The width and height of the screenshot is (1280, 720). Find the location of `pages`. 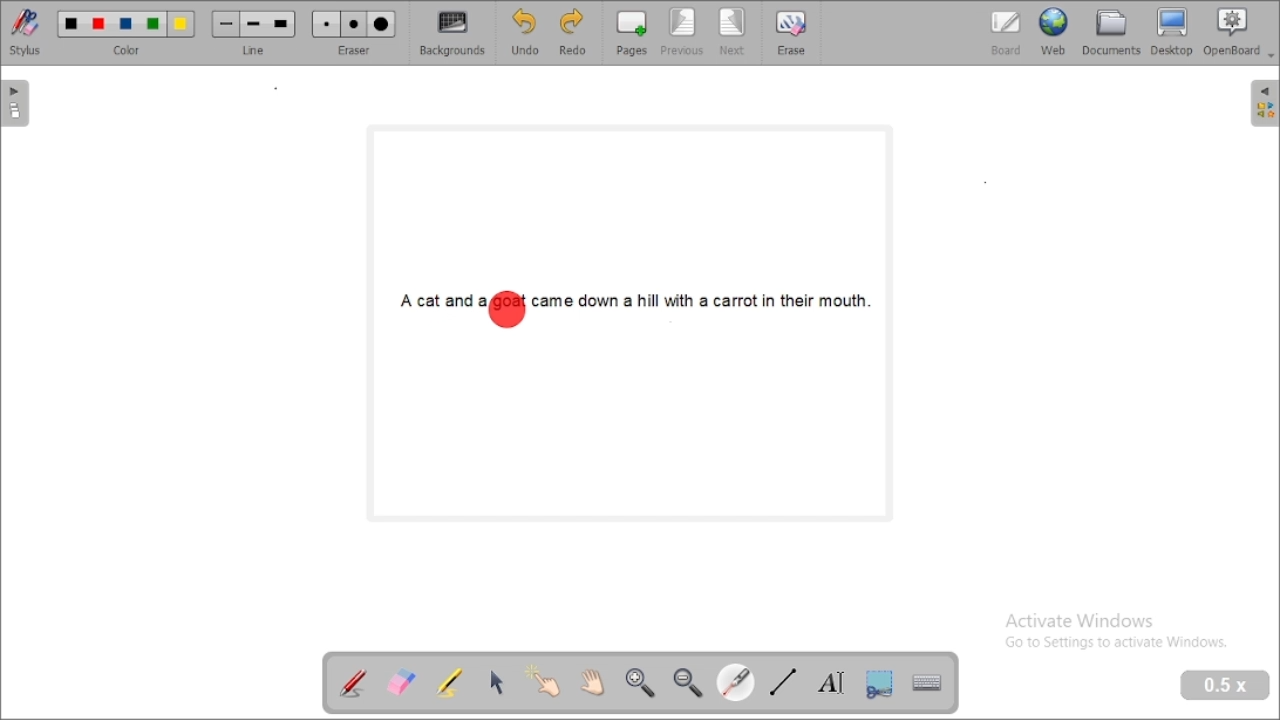

pages is located at coordinates (631, 33).